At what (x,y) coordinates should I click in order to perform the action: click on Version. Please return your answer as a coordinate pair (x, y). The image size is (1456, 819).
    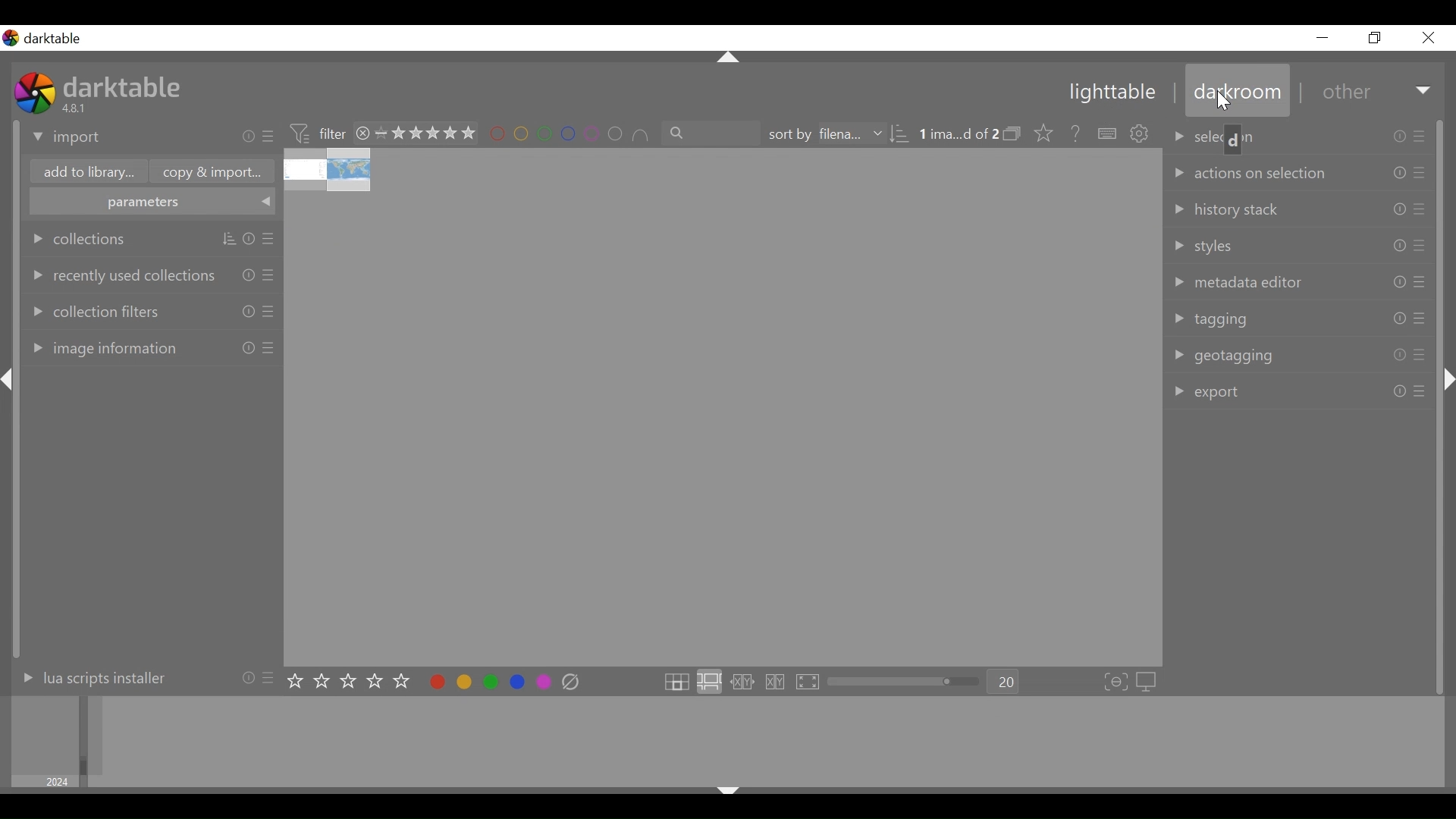
    Looking at the image, I should click on (77, 108).